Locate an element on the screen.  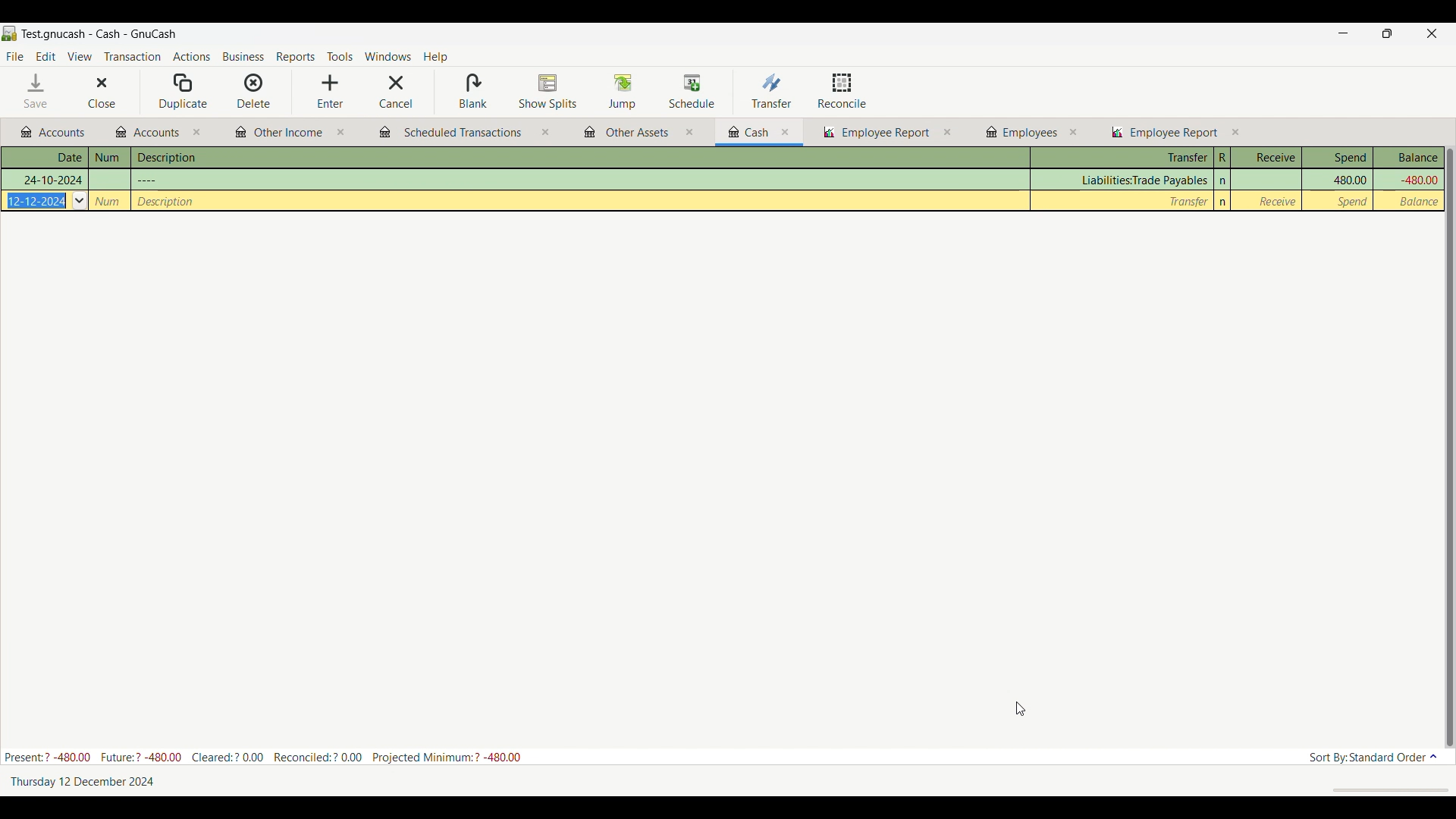
 is located at coordinates (148, 179).